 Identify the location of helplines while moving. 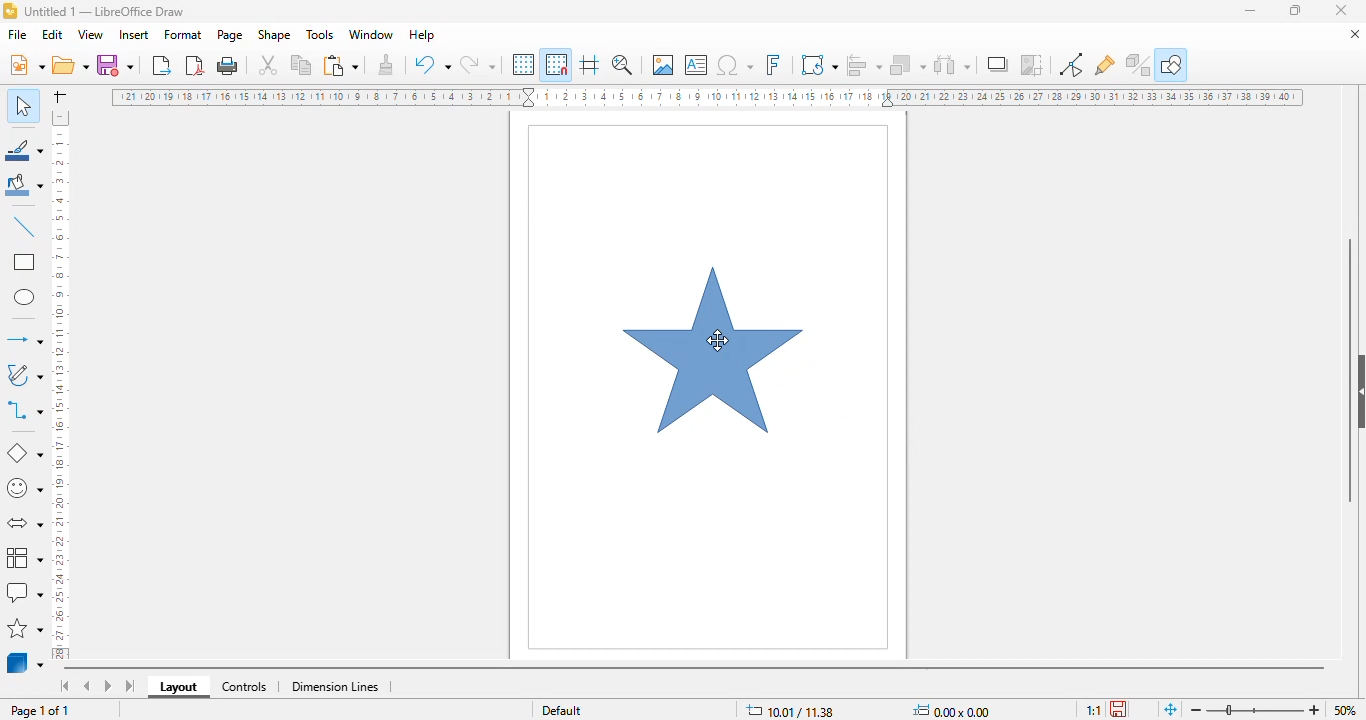
(590, 65).